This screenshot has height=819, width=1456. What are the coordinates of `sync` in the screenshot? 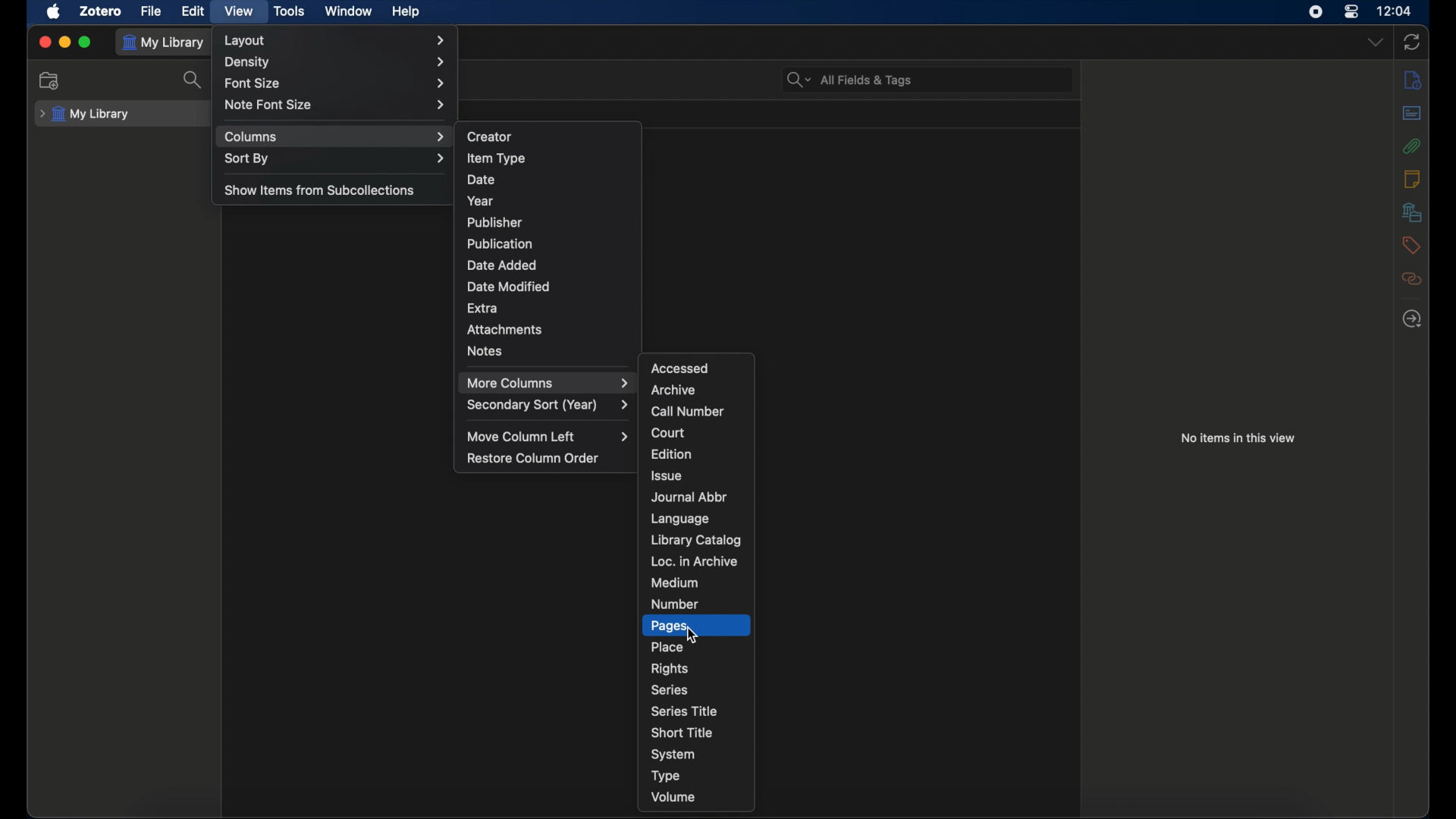 It's located at (1411, 42).